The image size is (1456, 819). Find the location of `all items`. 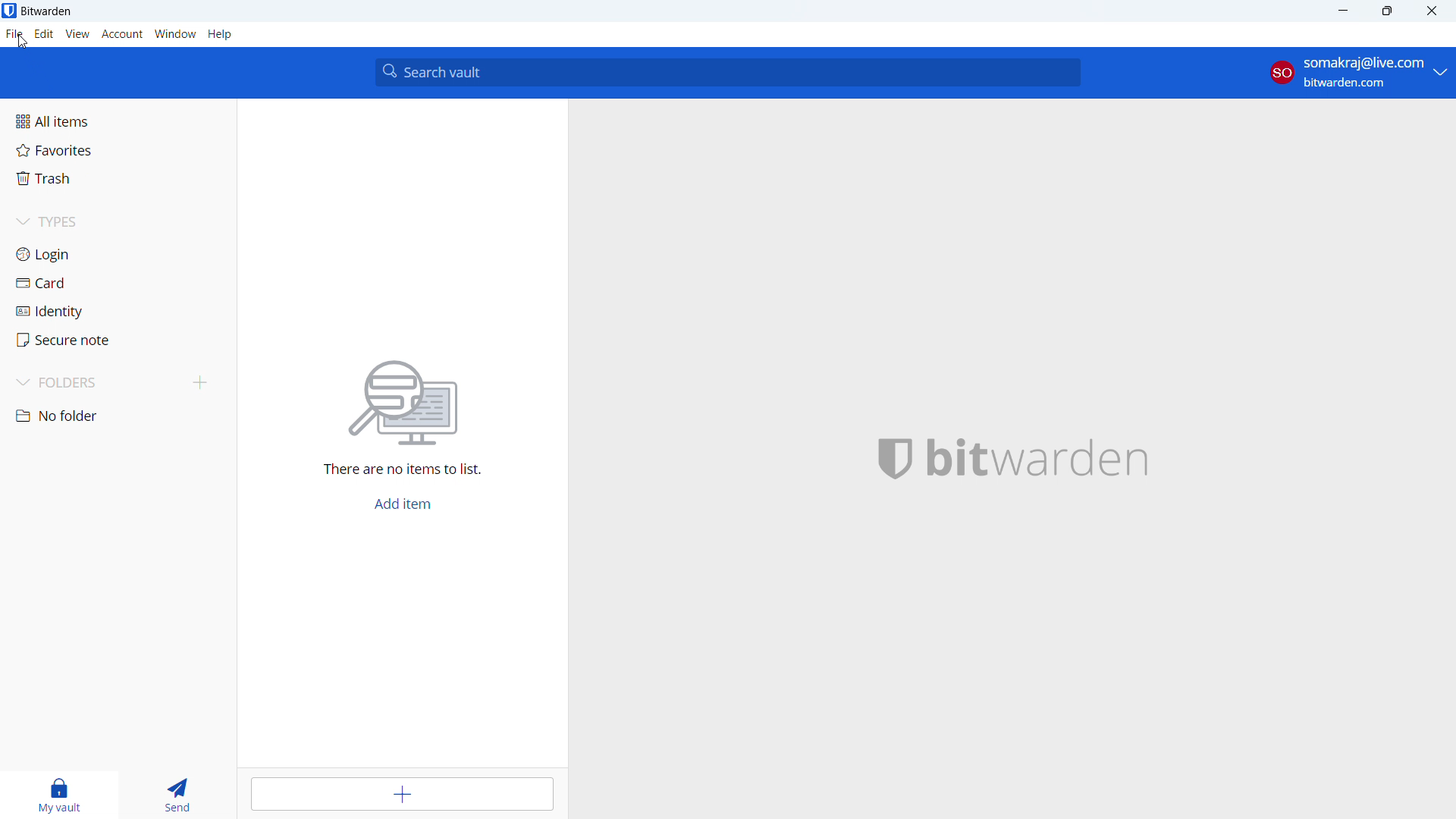

all items is located at coordinates (115, 121).